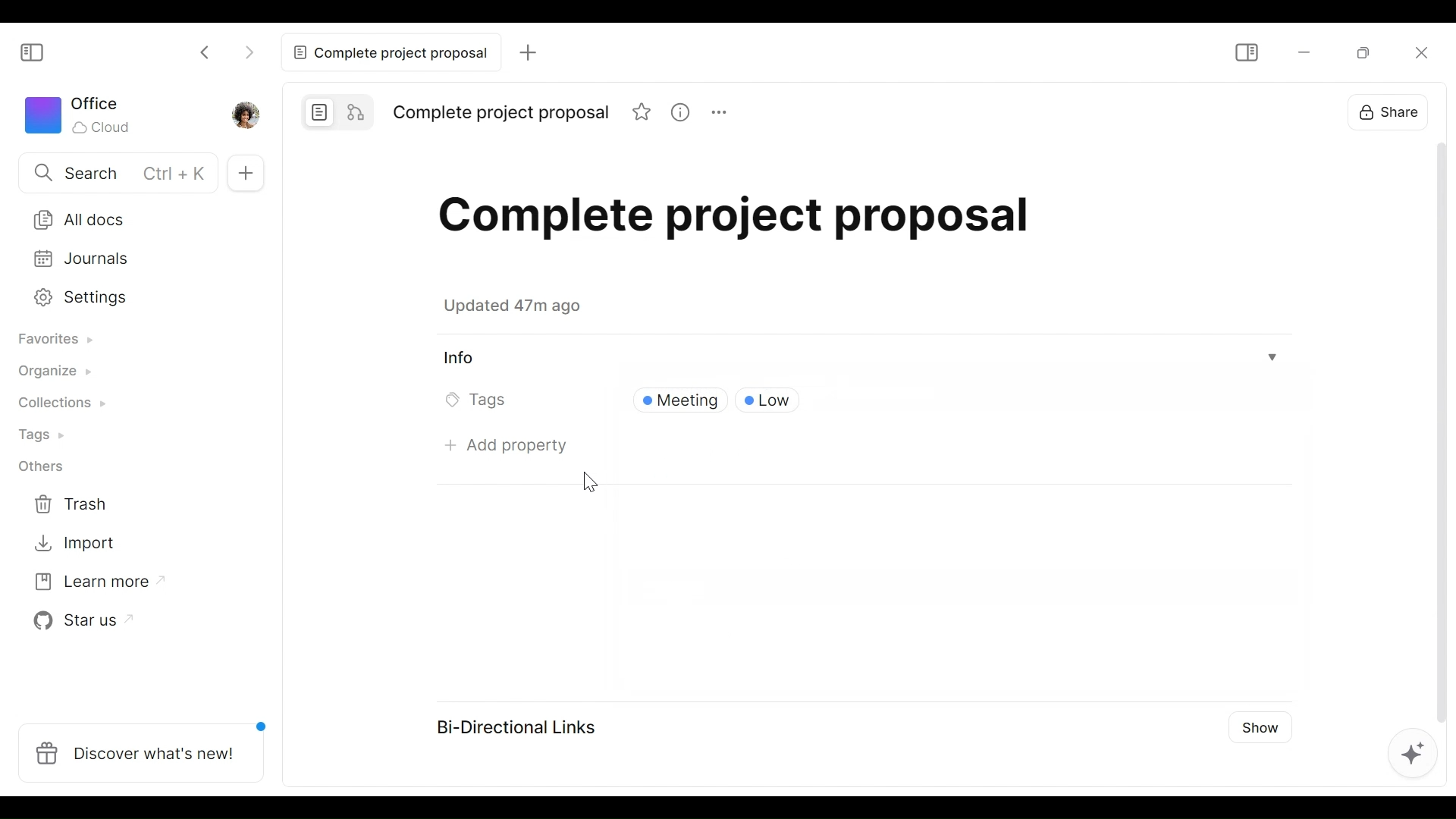  Describe the element at coordinates (677, 400) in the screenshot. I see `Meeting` at that location.